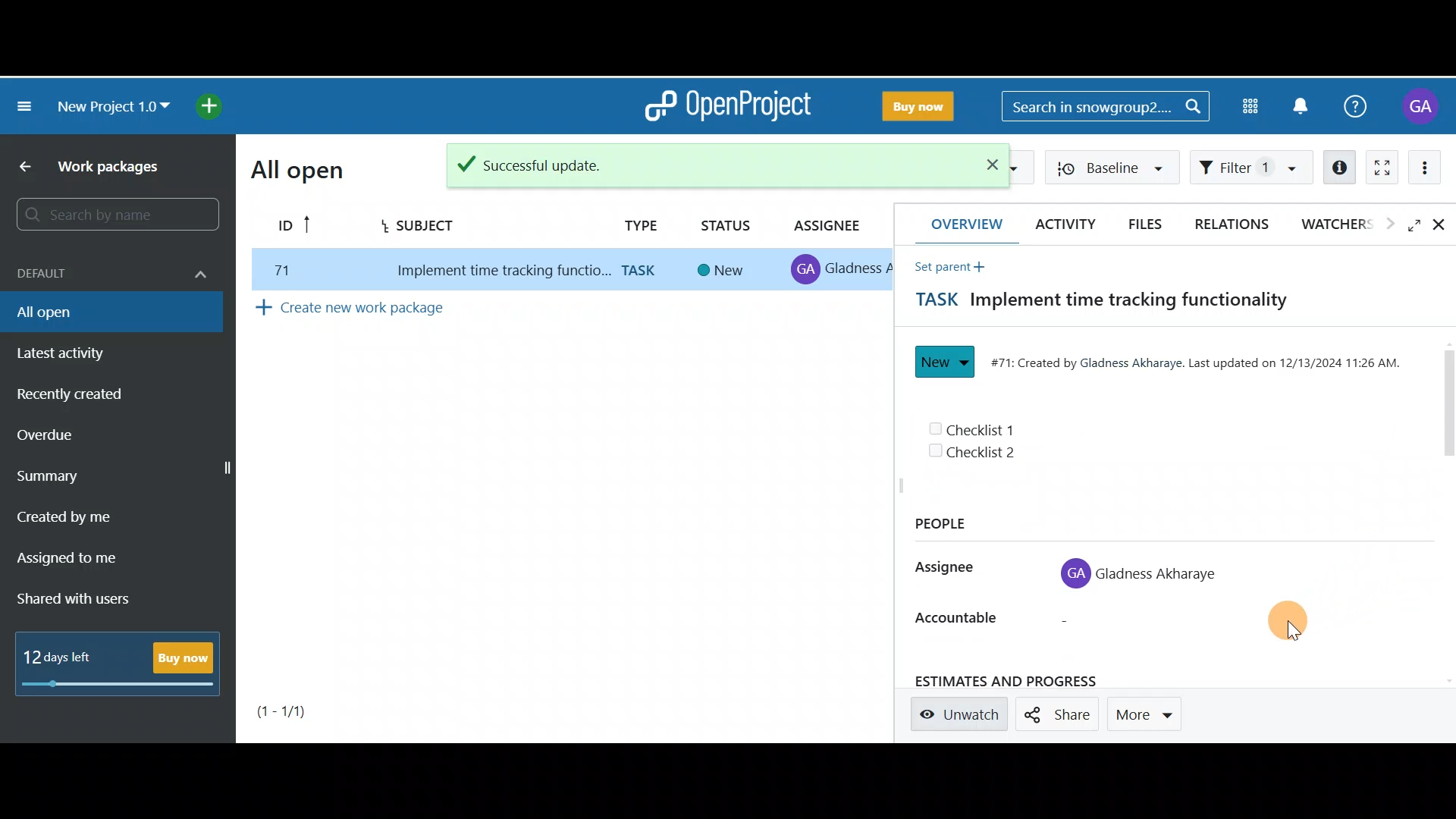  Describe the element at coordinates (185, 657) in the screenshot. I see `Buy now` at that location.